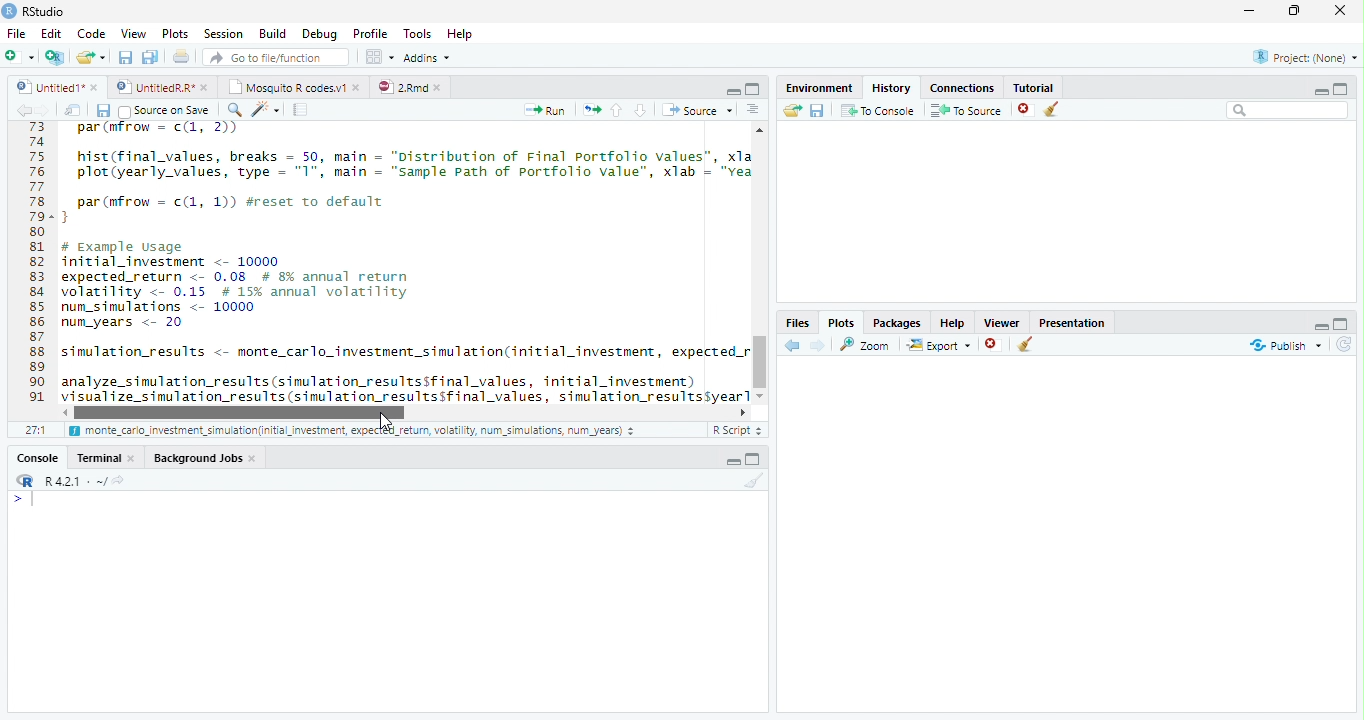 The image size is (1364, 720). What do you see at coordinates (743, 411) in the screenshot?
I see `Scroll Right` at bounding box center [743, 411].